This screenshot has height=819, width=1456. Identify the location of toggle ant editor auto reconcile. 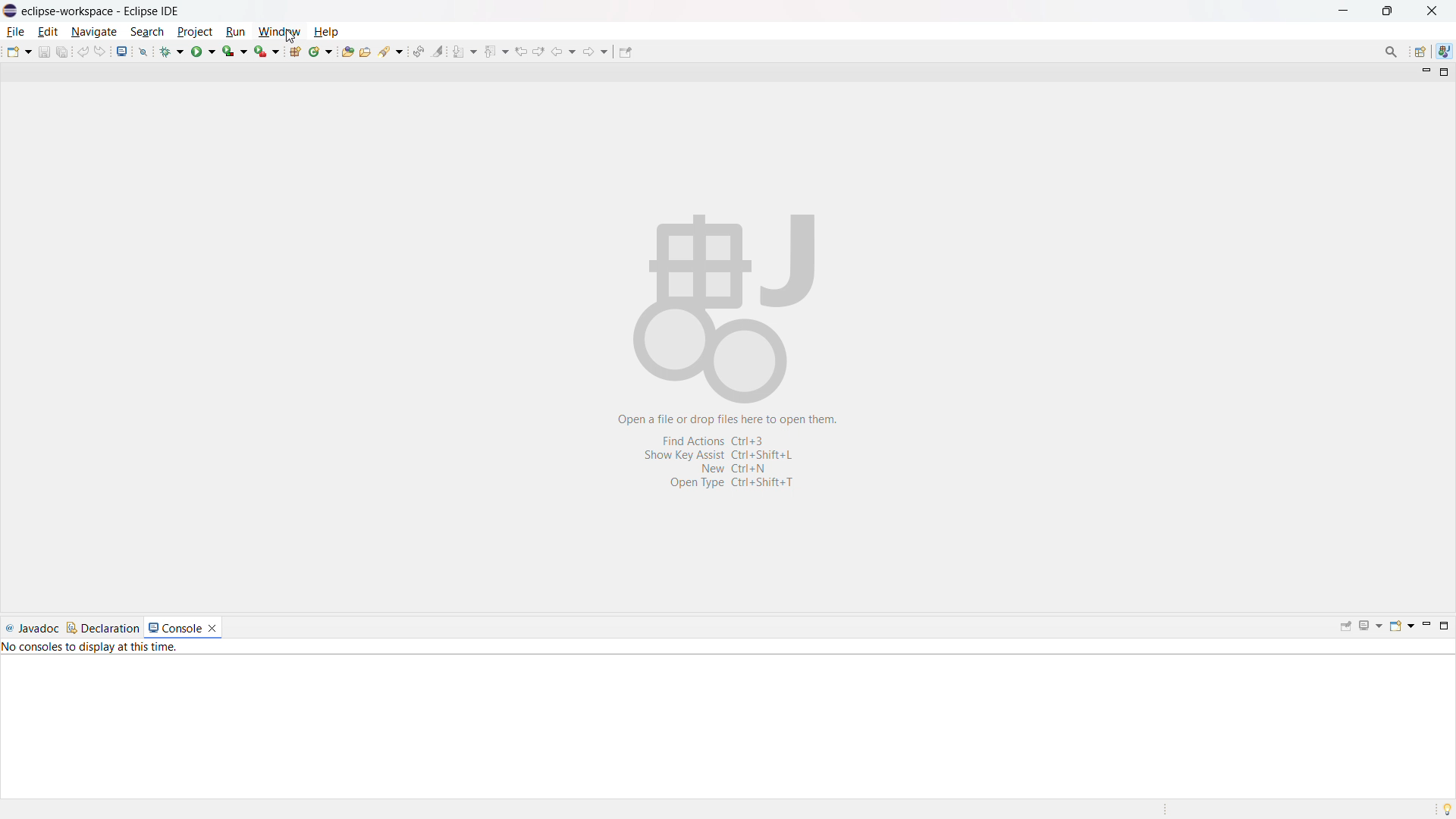
(419, 52).